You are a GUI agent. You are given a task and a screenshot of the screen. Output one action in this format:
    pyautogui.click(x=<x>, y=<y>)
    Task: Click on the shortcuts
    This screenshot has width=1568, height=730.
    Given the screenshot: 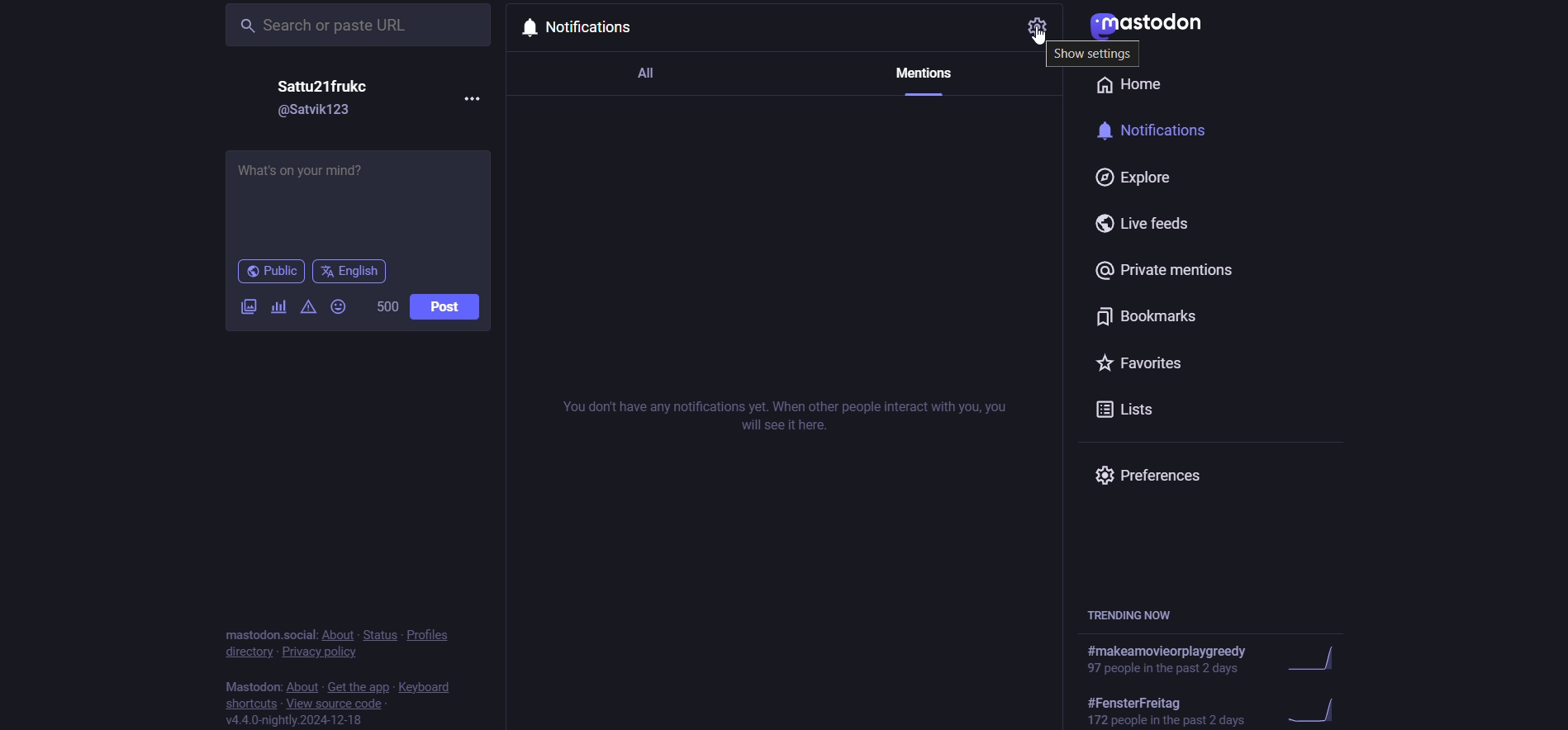 What is the action you would take?
    pyautogui.click(x=254, y=704)
    